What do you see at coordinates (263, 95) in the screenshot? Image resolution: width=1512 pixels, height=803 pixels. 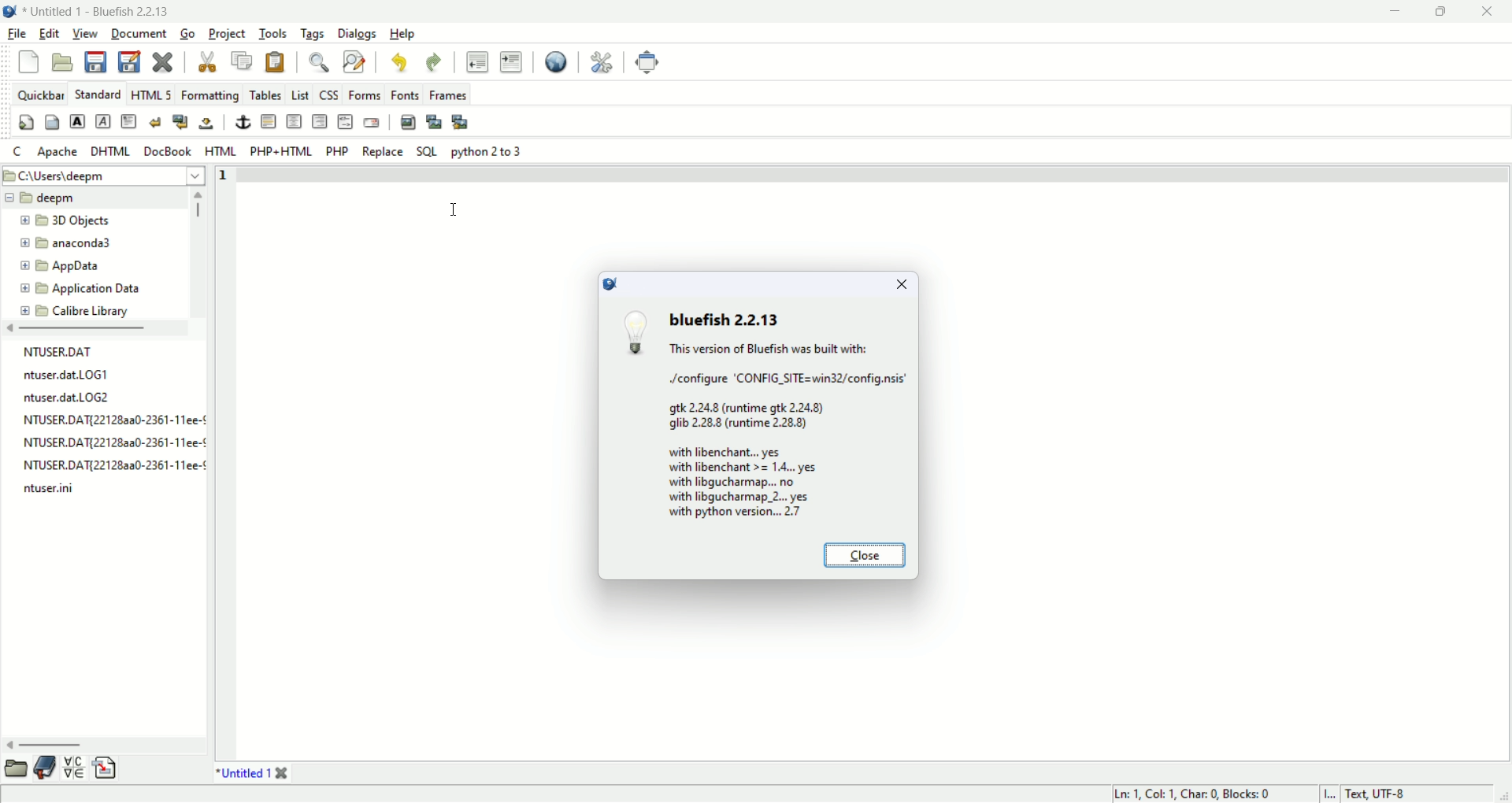 I see `tables` at bounding box center [263, 95].